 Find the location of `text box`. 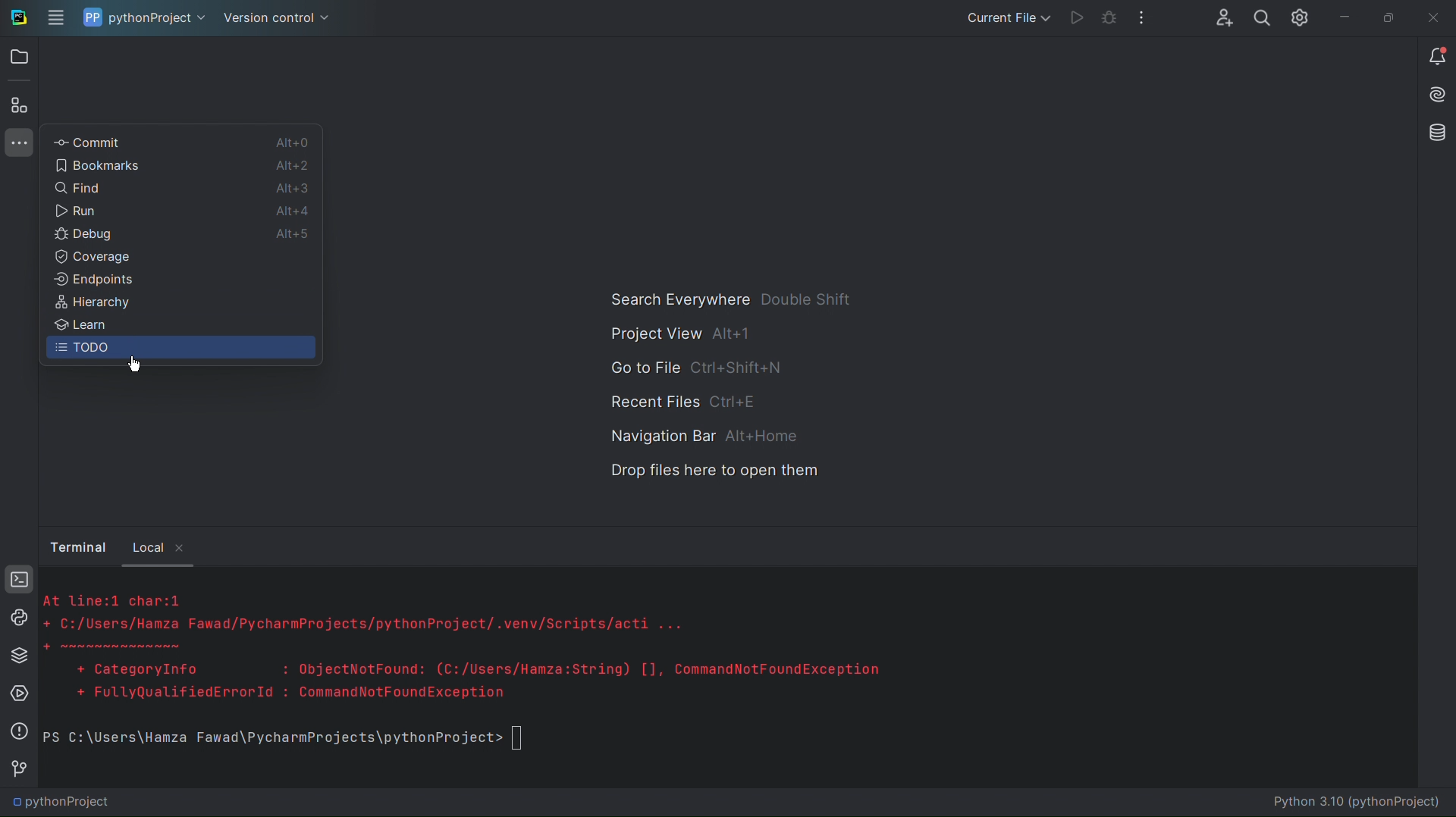

text box is located at coordinates (523, 739).